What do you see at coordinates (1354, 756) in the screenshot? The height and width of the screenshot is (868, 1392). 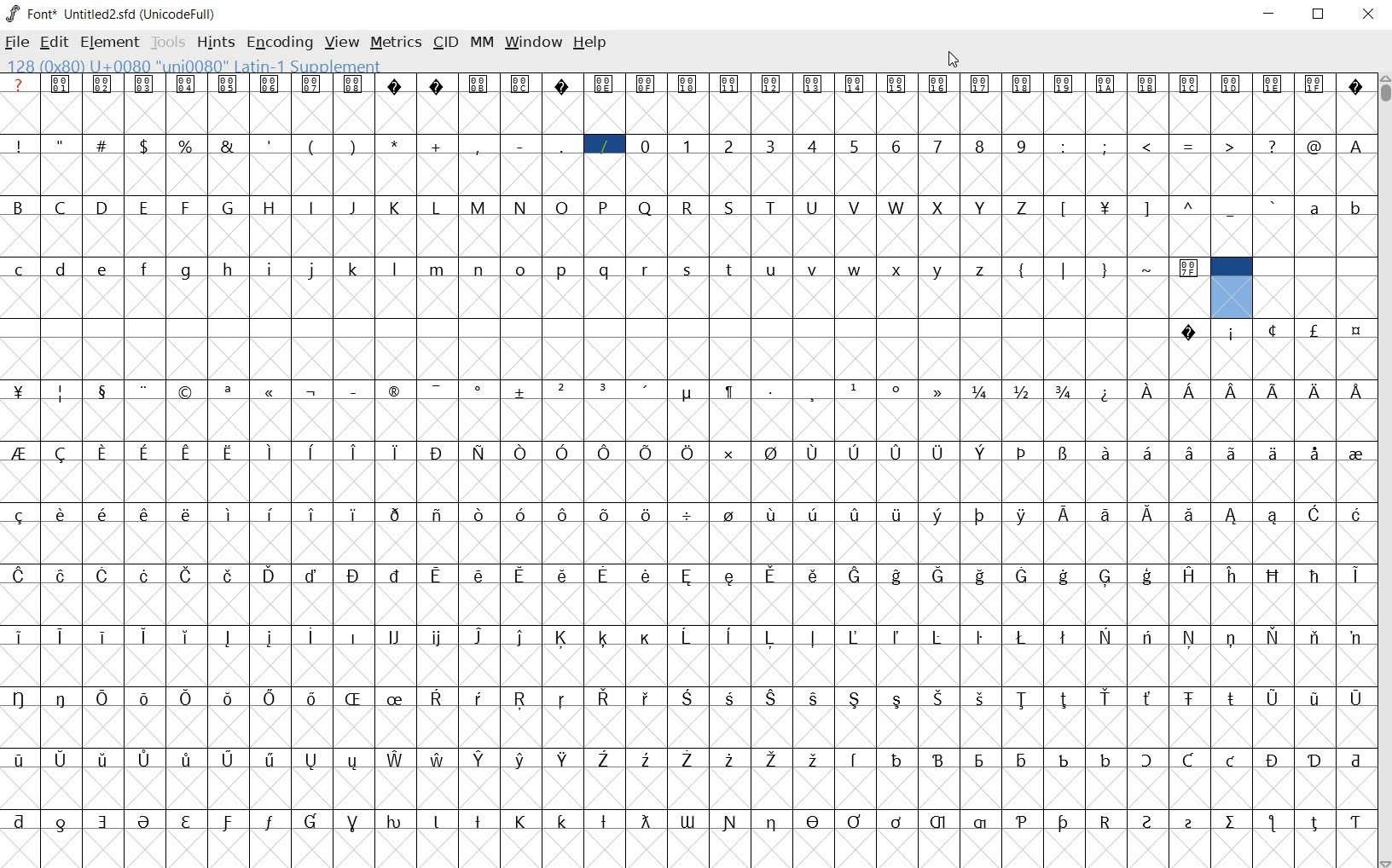 I see `Symbol` at bounding box center [1354, 756].